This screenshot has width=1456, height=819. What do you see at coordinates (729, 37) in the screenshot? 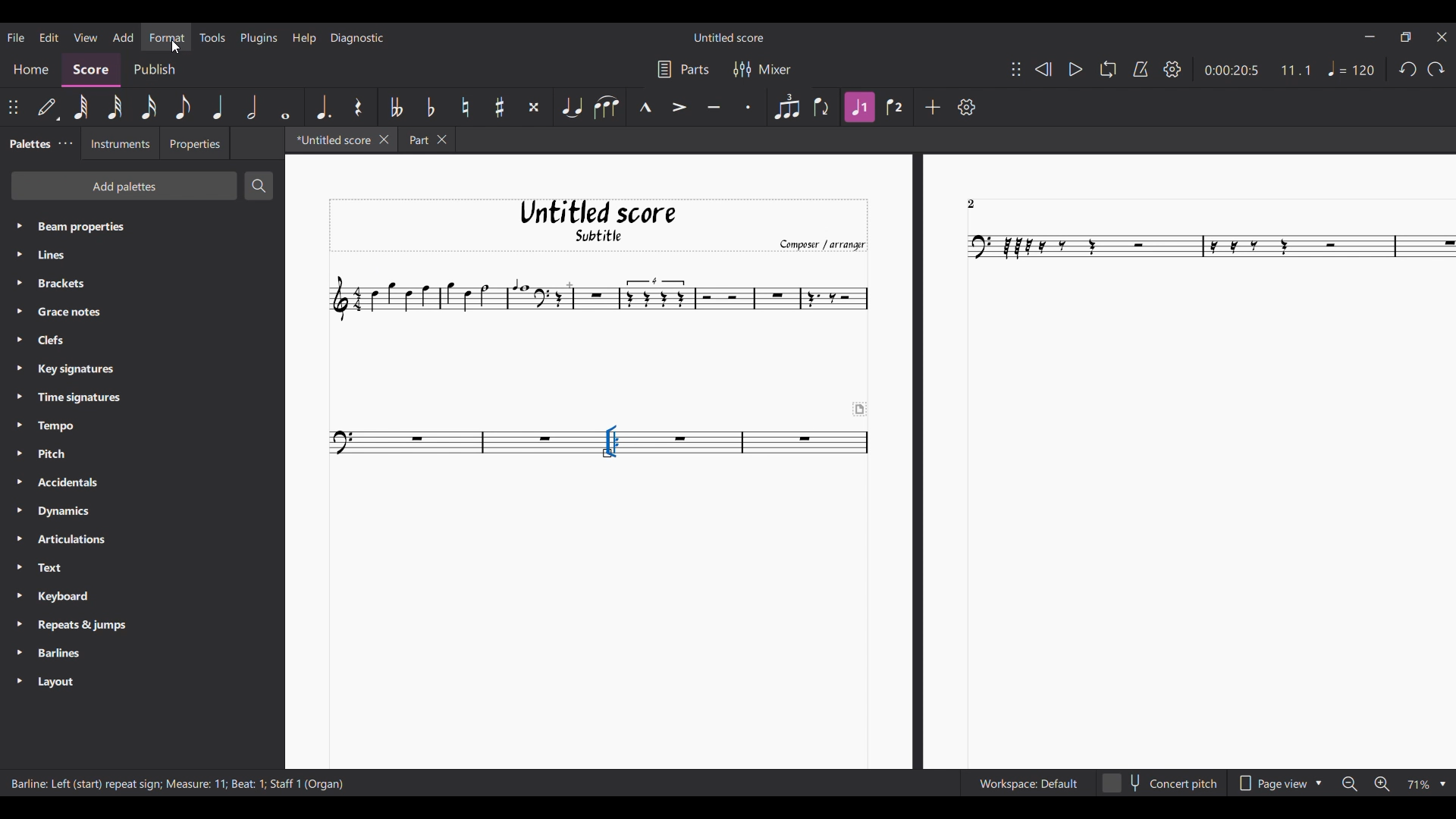
I see `Score title` at bounding box center [729, 37].